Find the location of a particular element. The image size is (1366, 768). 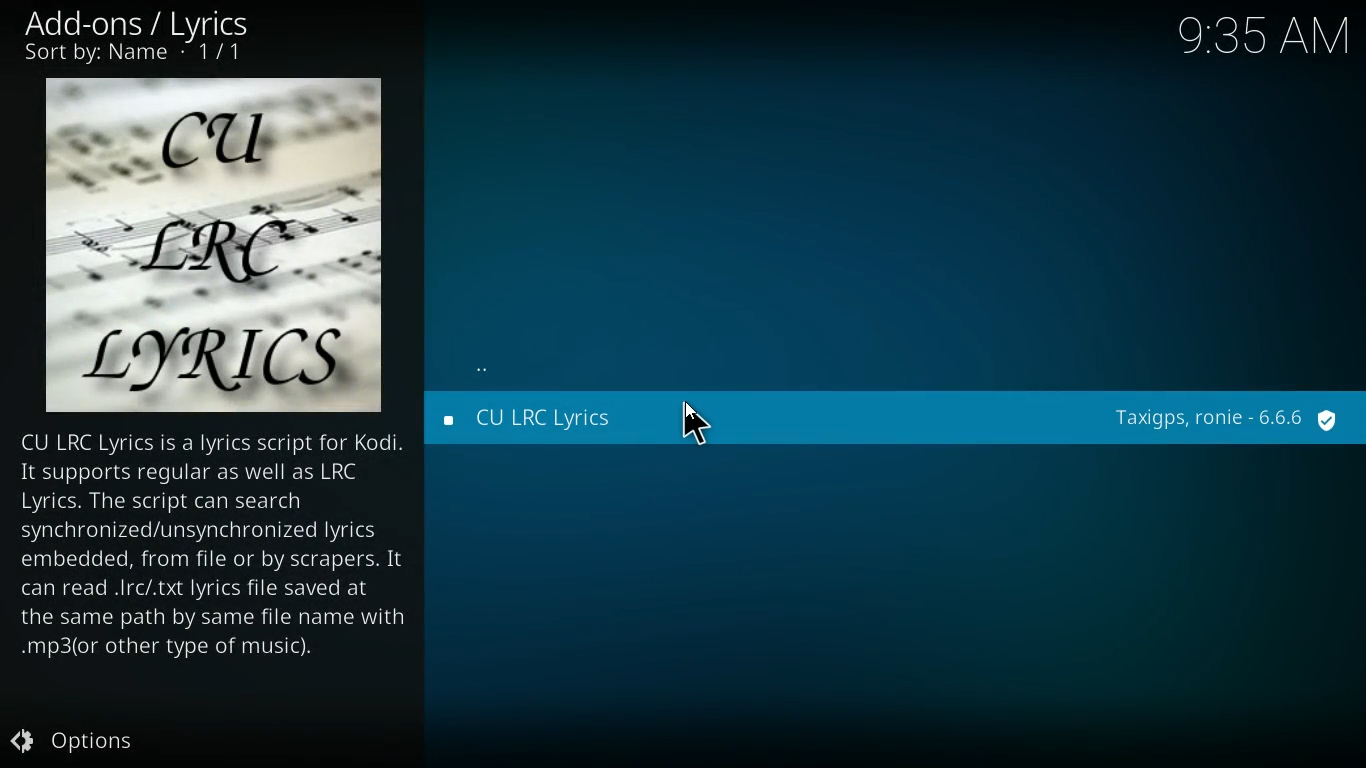

Cursor is located at coordinates (698, 426).